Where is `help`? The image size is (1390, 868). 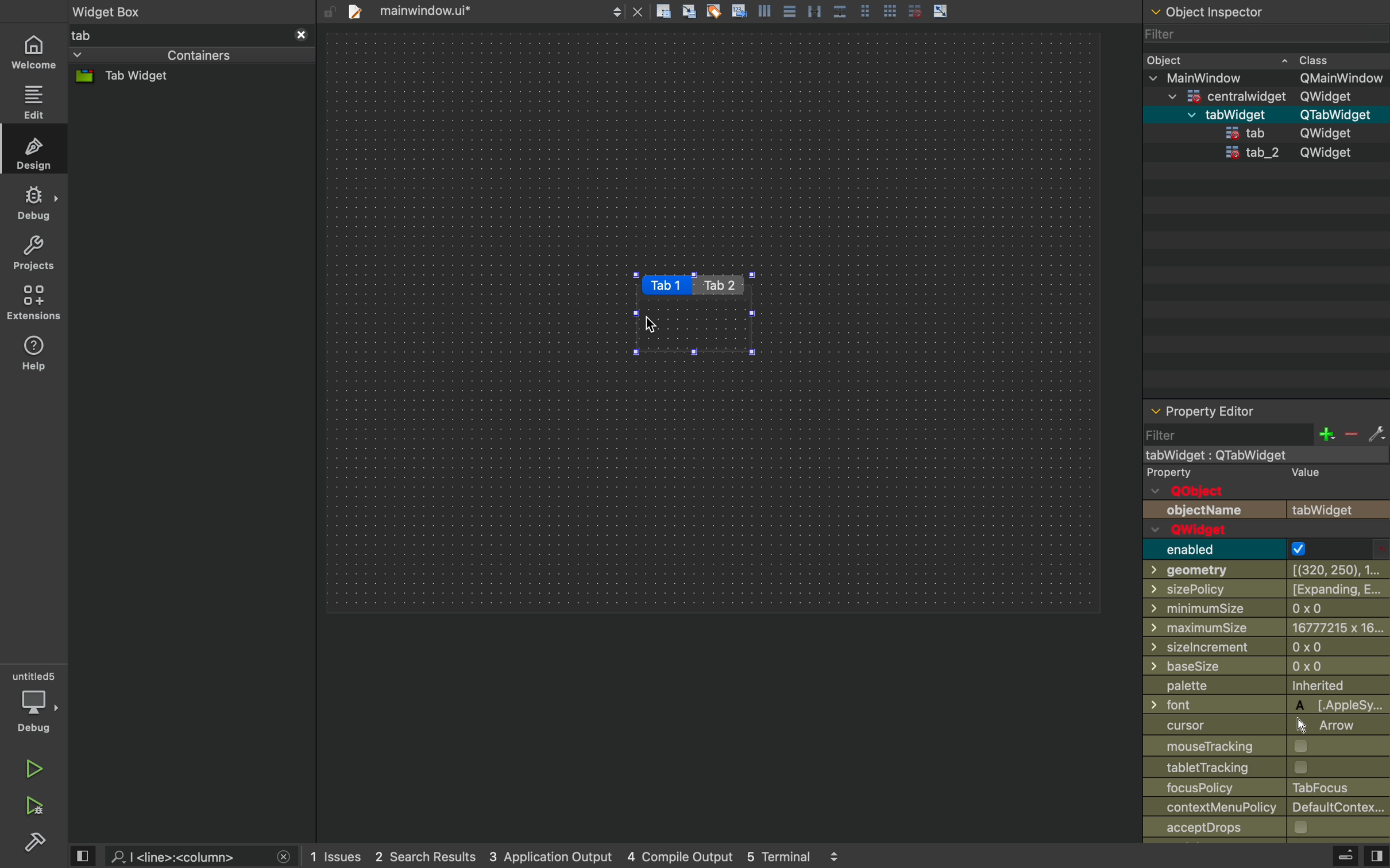
help is located at coordinates (33, 354).